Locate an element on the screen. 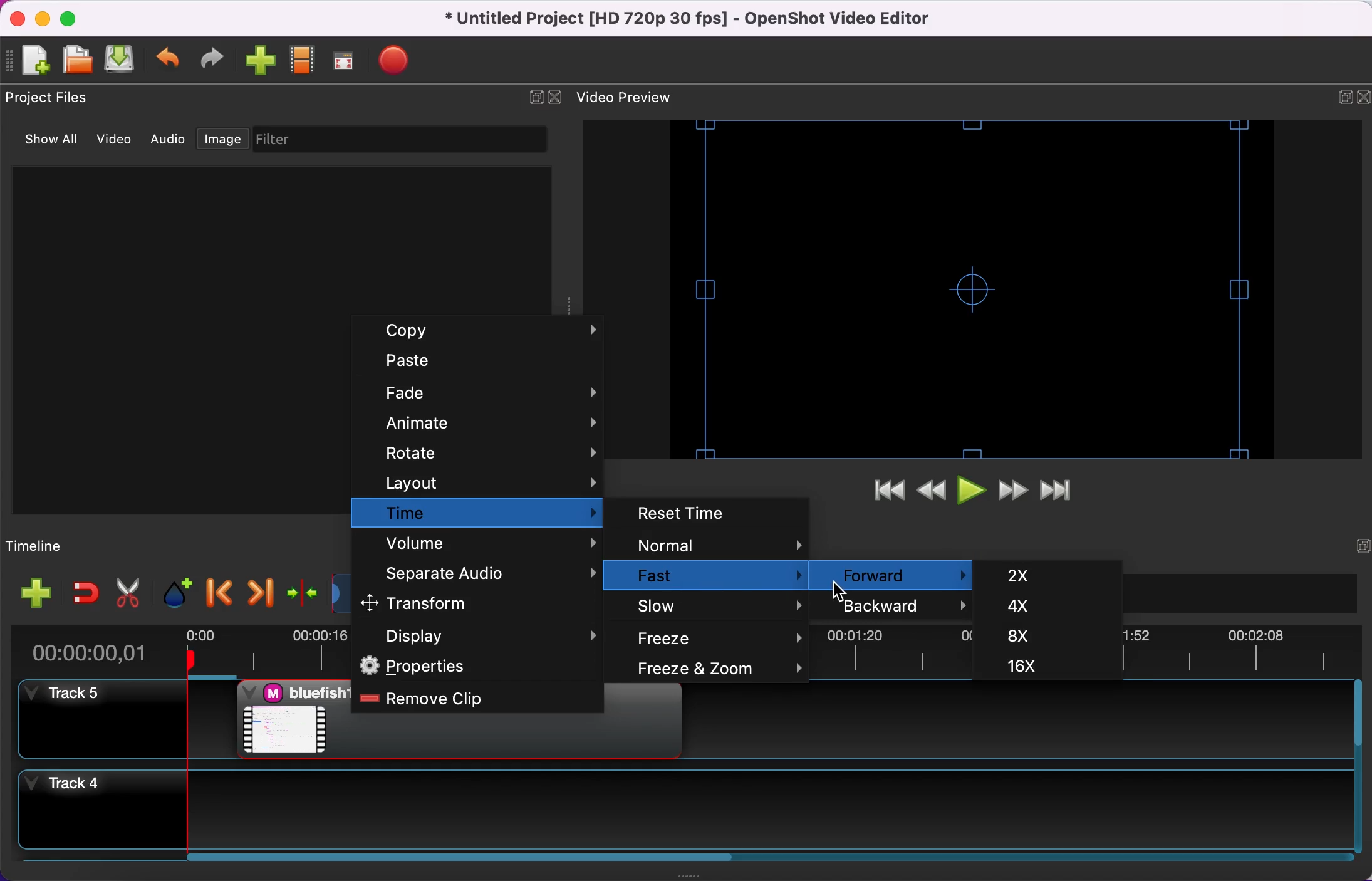 The width and height of the screenshot is (1372, 881). freeze and zoom is located at coordinates (718, 669).